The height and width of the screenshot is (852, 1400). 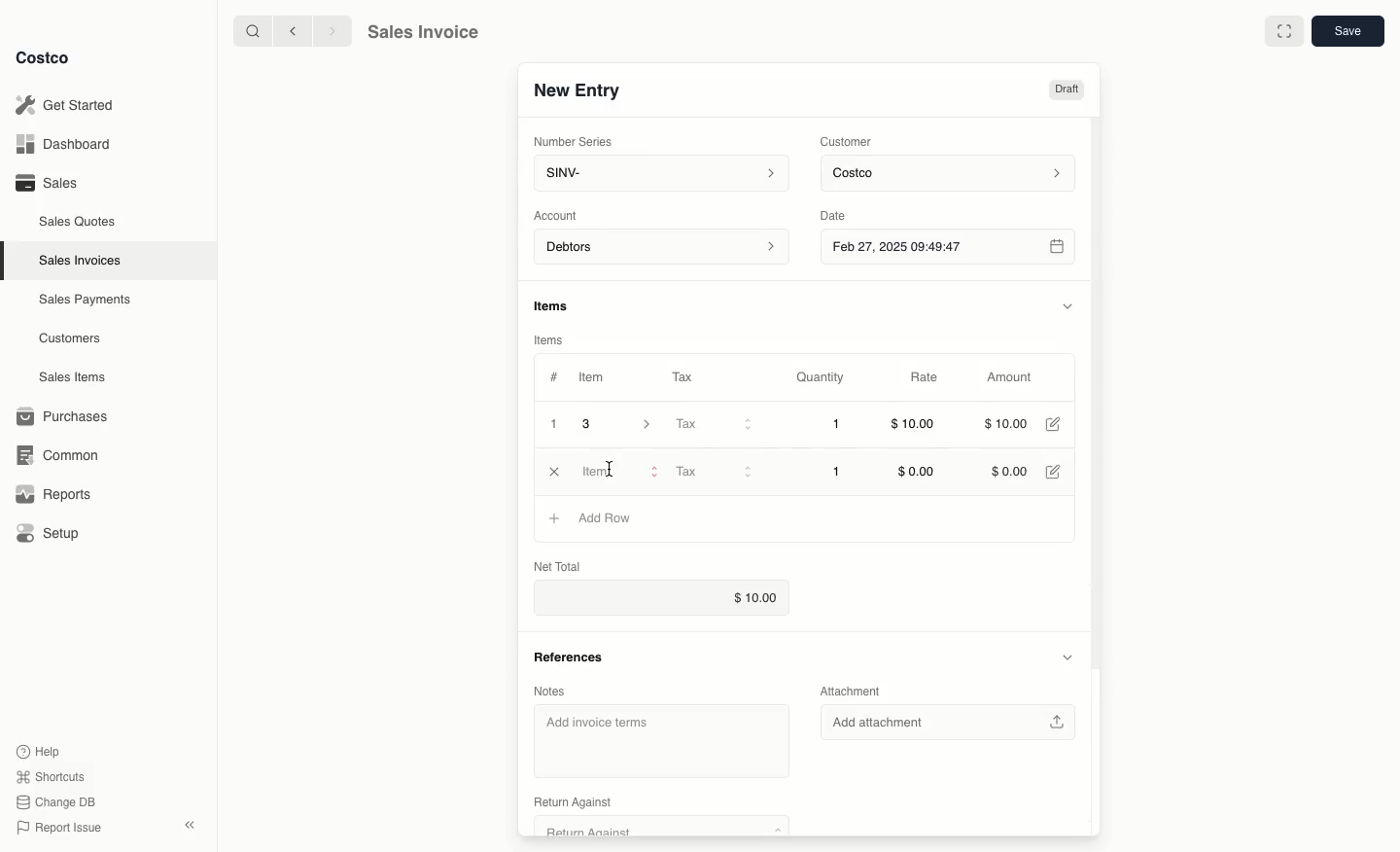 I want to click on Sales Invoices, so click(x=83, y=260).